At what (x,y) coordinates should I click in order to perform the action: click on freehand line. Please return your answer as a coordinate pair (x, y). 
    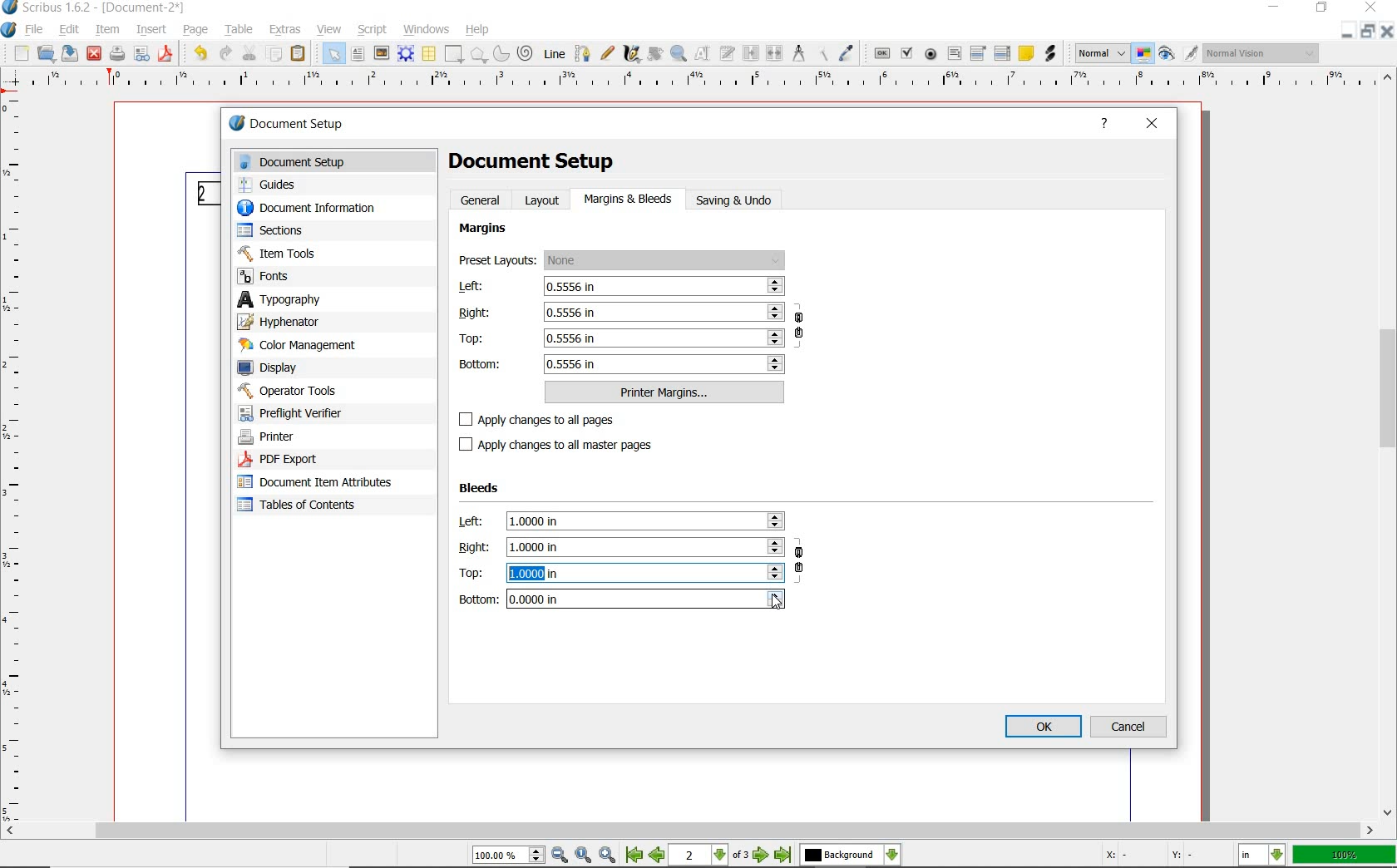
    Looking at the image, I should click on (608, 54).